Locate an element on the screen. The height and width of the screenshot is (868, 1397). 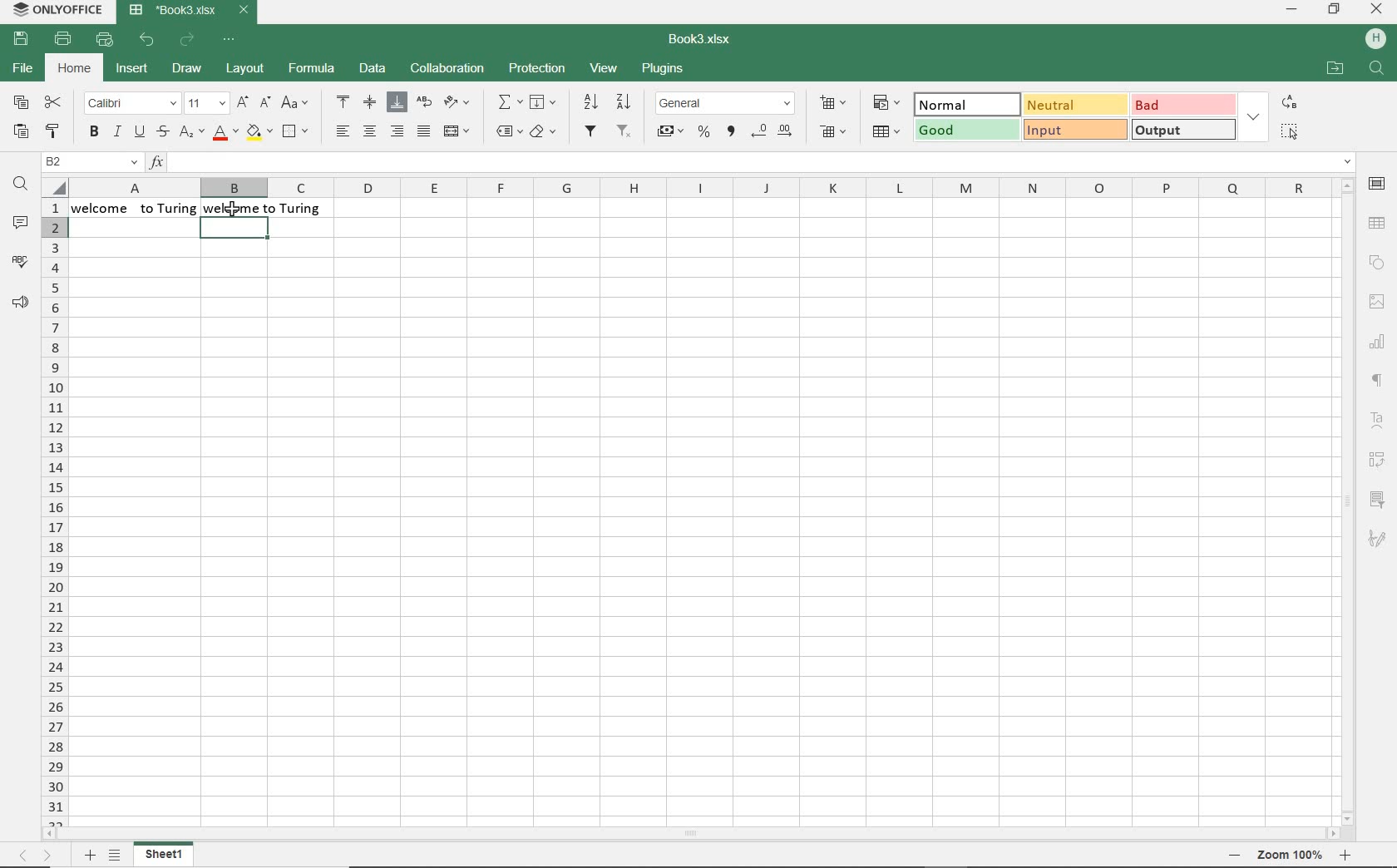
find is located at coordinates (22, 186).